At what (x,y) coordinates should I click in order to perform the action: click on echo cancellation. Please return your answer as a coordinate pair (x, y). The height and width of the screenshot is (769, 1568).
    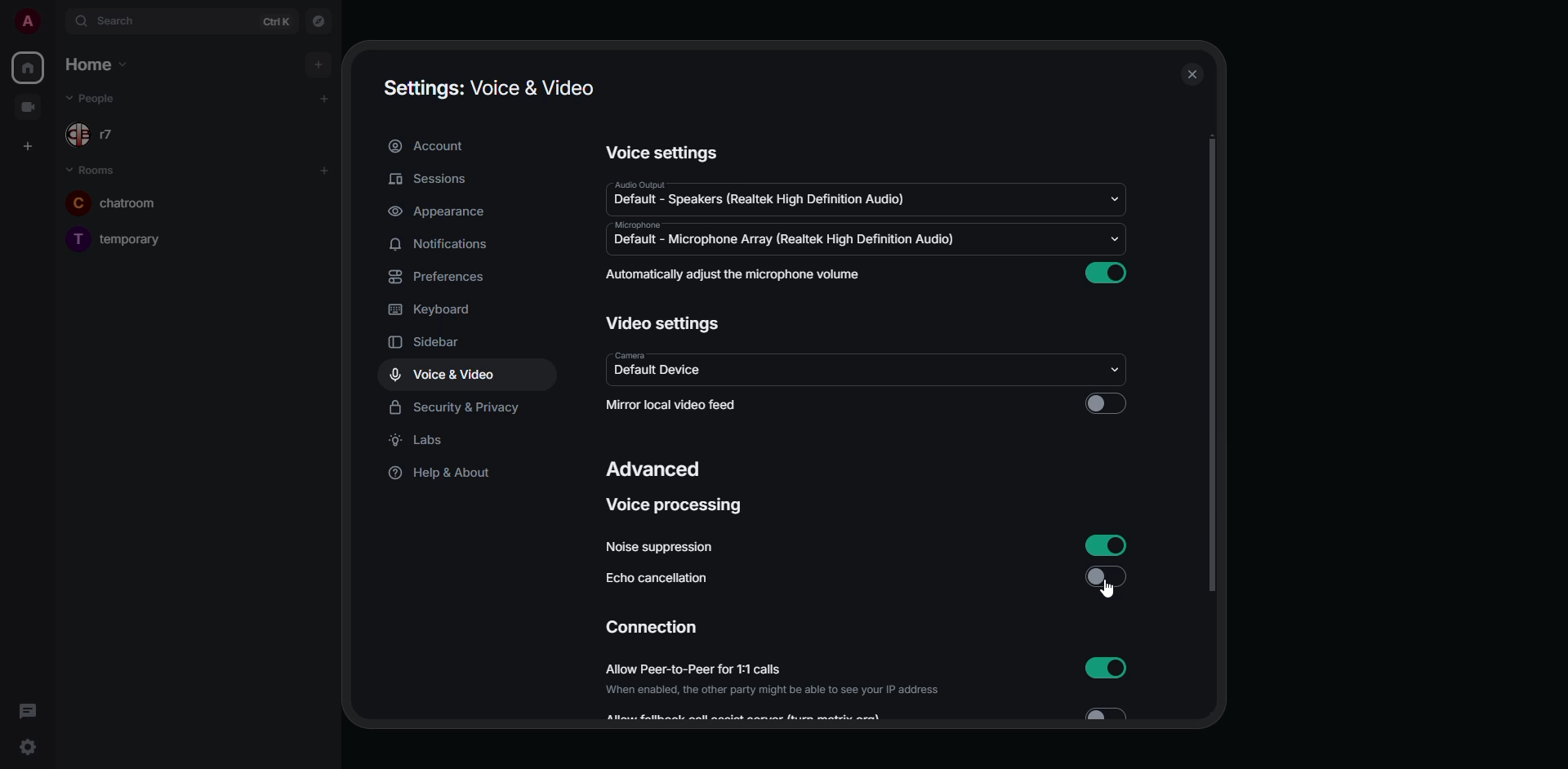
    Looking at the image, I should click on (657, 580).